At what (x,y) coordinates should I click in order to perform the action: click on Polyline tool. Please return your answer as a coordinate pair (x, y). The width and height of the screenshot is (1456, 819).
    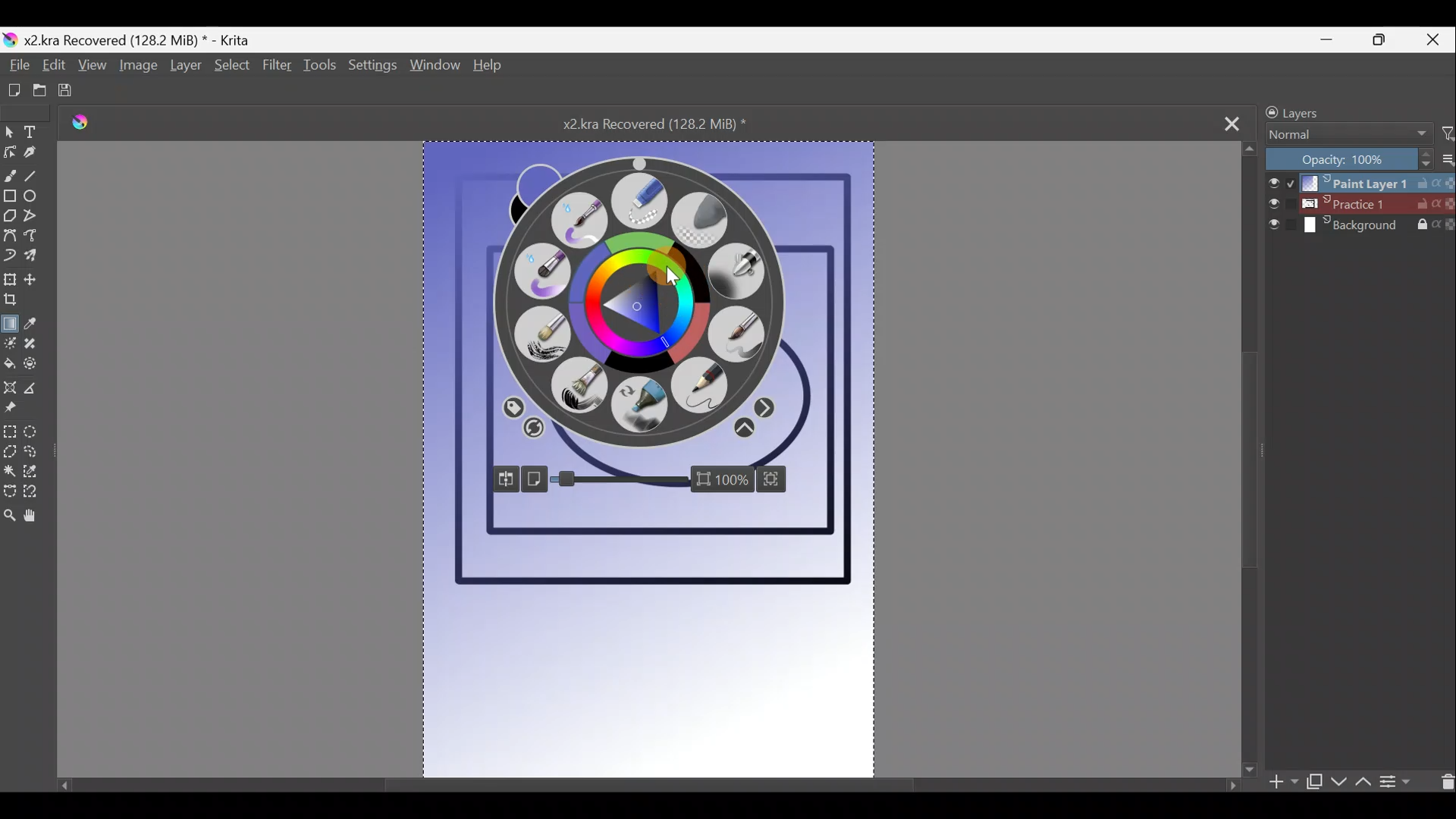
    Looking at the image, I should click on (37, 218).